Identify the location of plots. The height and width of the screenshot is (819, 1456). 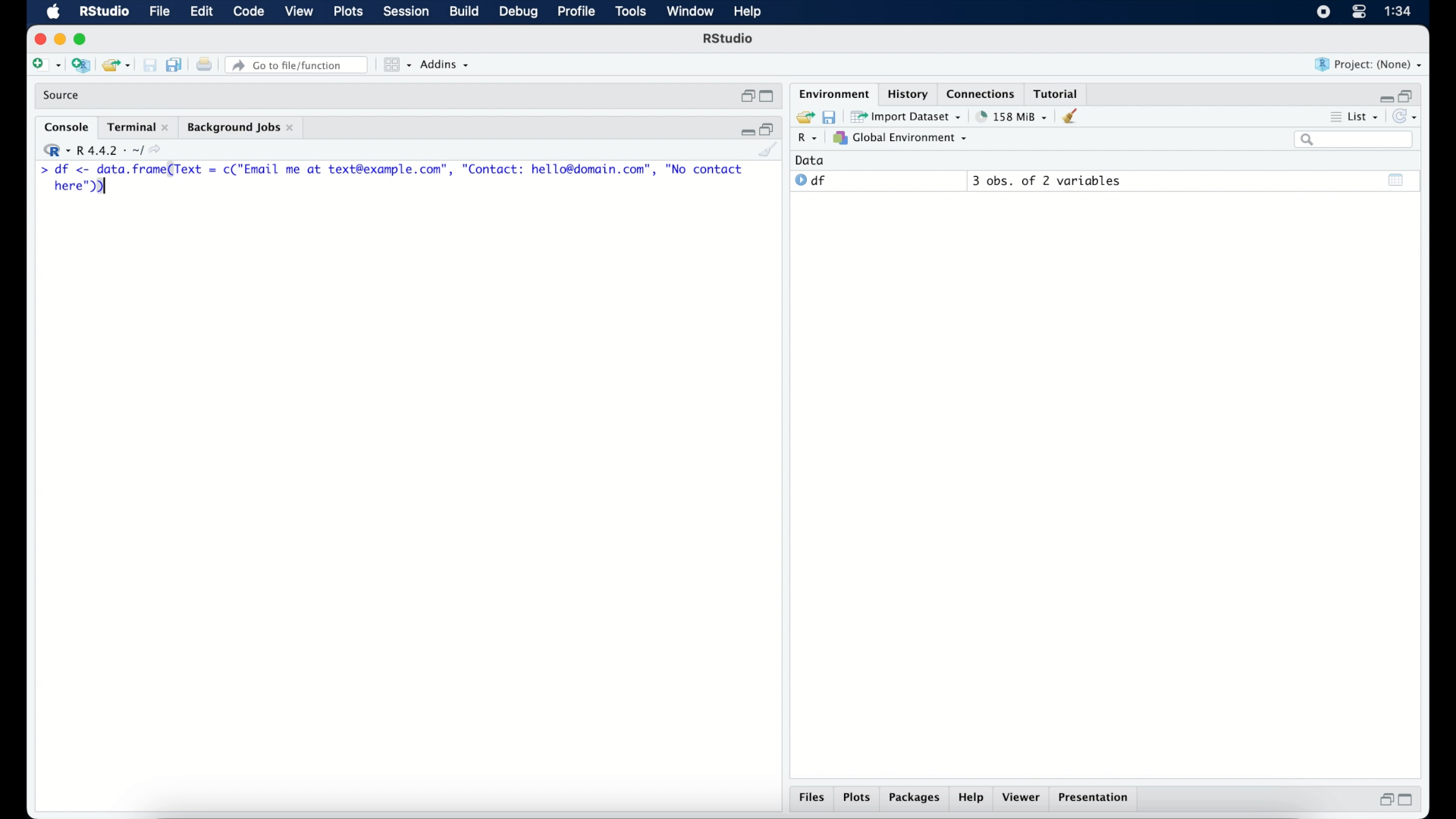
(857, 797).